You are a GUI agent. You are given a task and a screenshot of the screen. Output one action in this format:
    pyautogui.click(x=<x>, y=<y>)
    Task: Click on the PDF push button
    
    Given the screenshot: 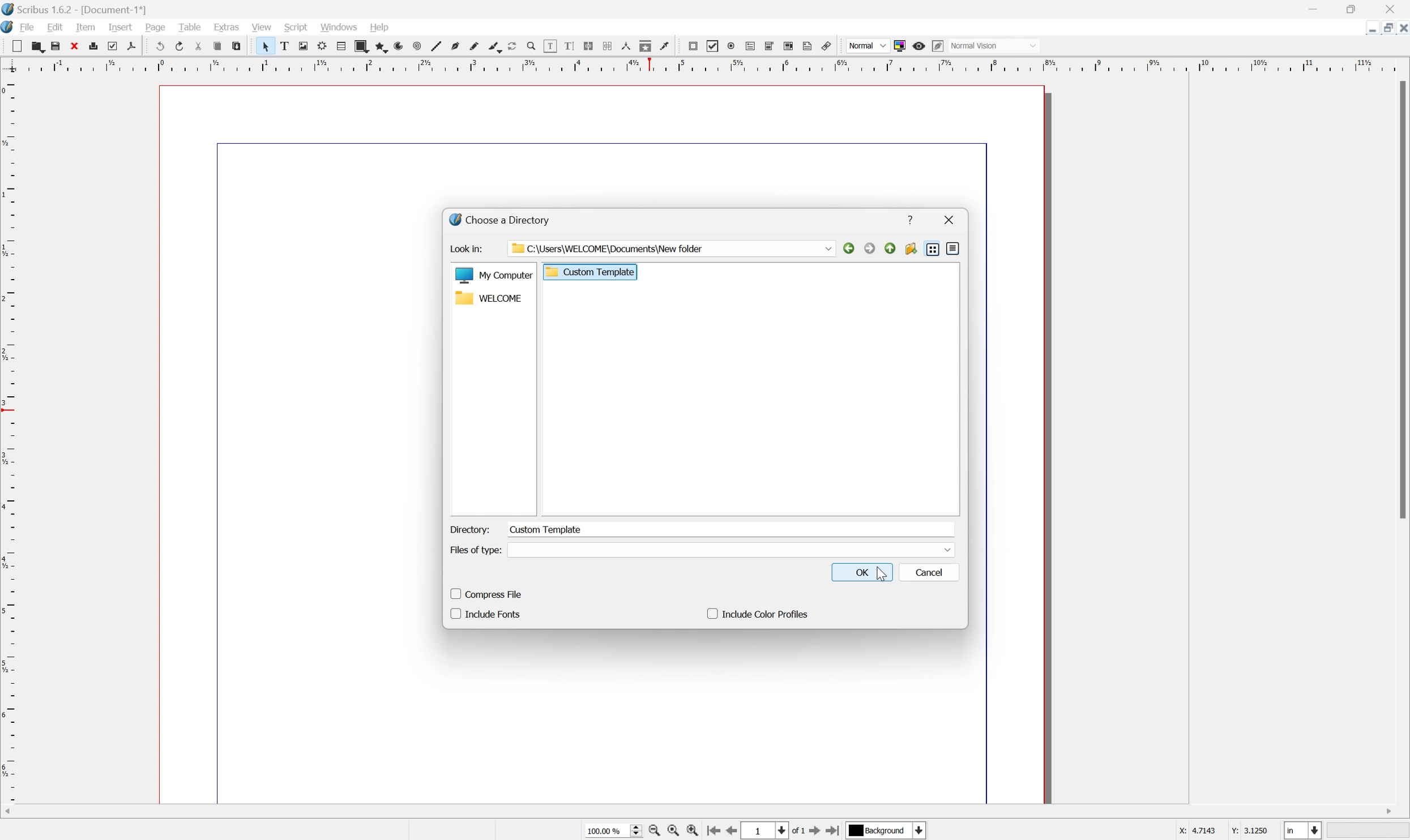 What is the action you would take?
    pyautogui.click(x=691, y=46)
    